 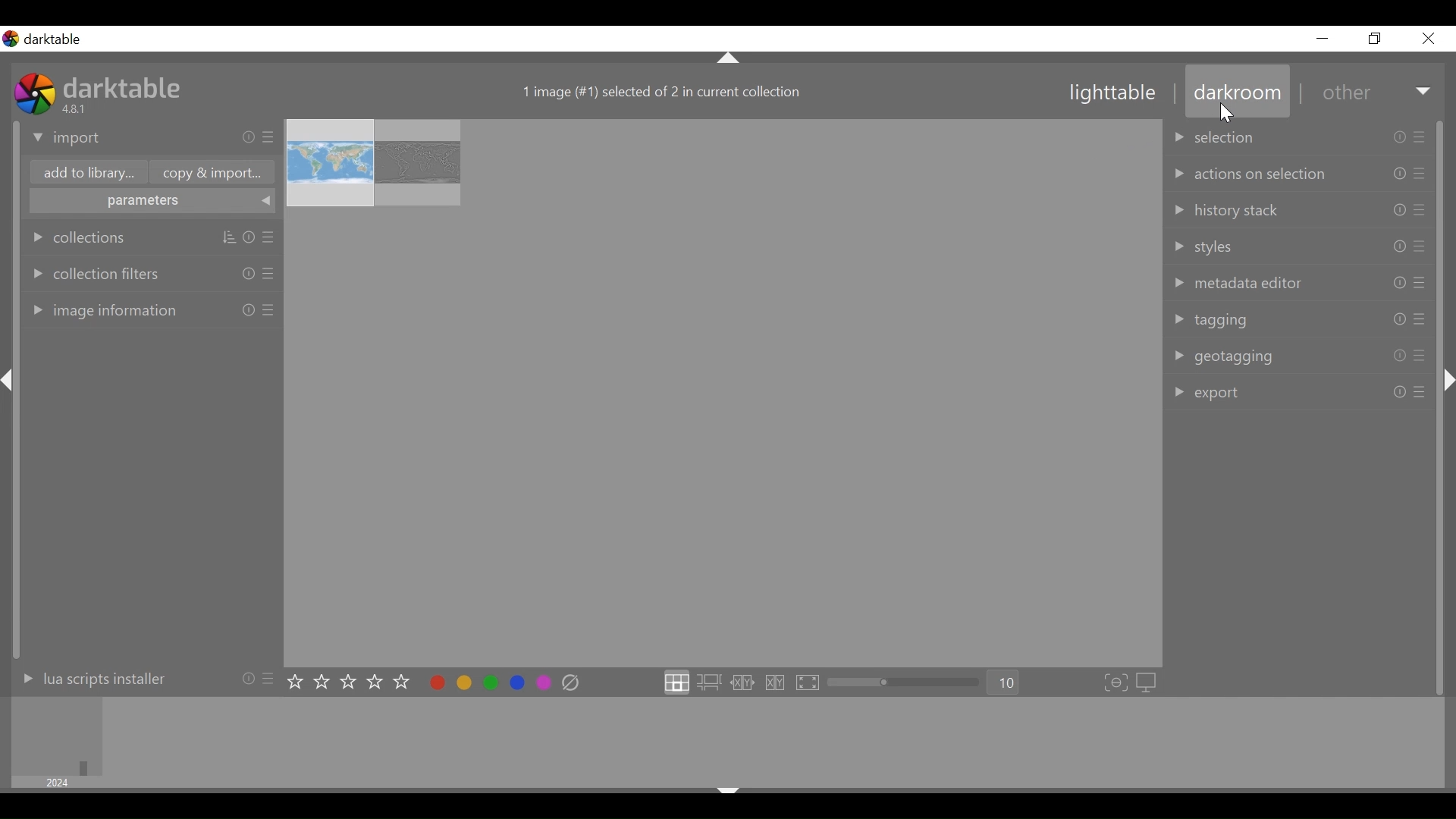 What do you see at coordinates (1425, 93) in the screenshot?
I see `Expand` at bounding box center [1425, 93].